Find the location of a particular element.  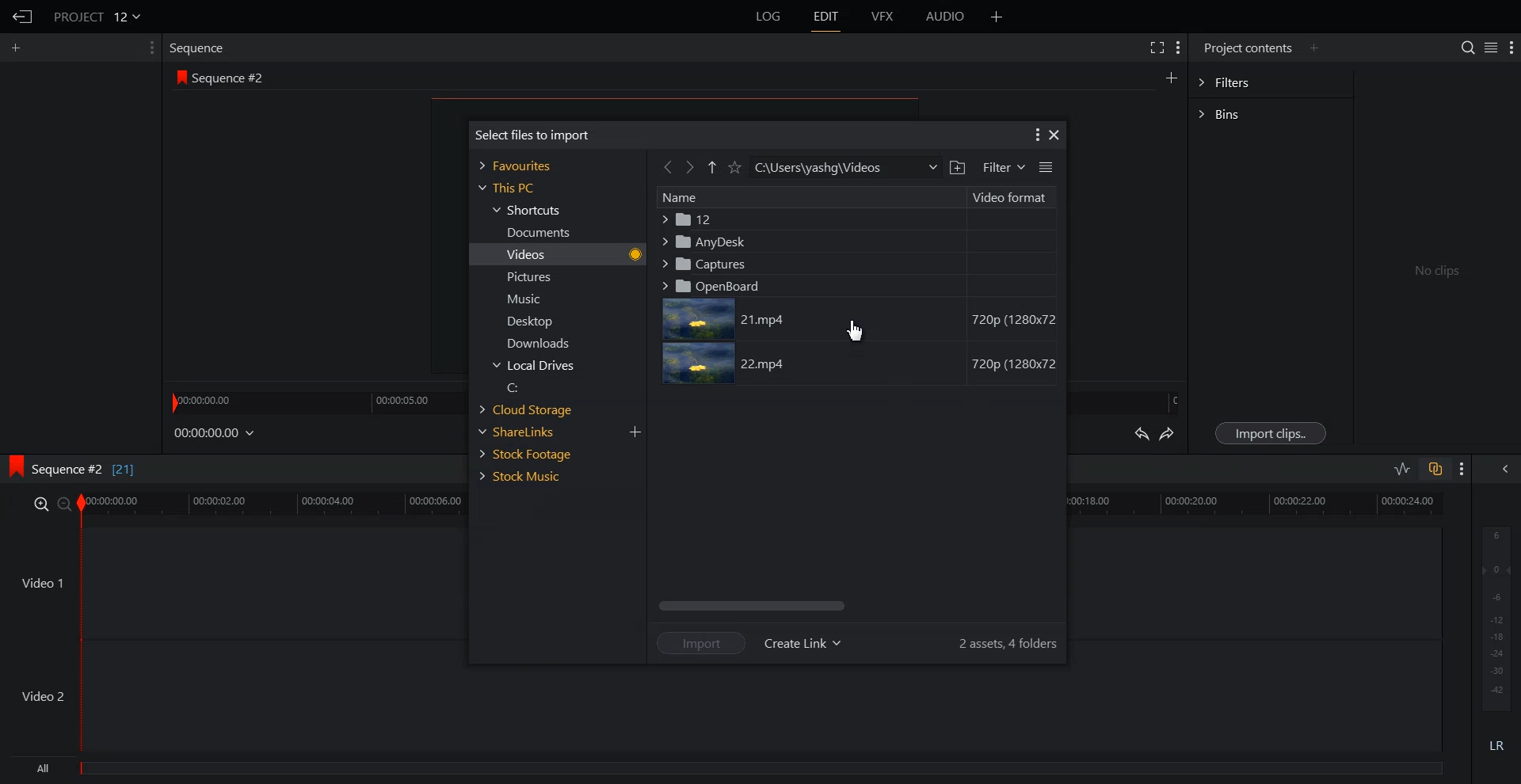

Filter is located at coordinates (1001, 168).